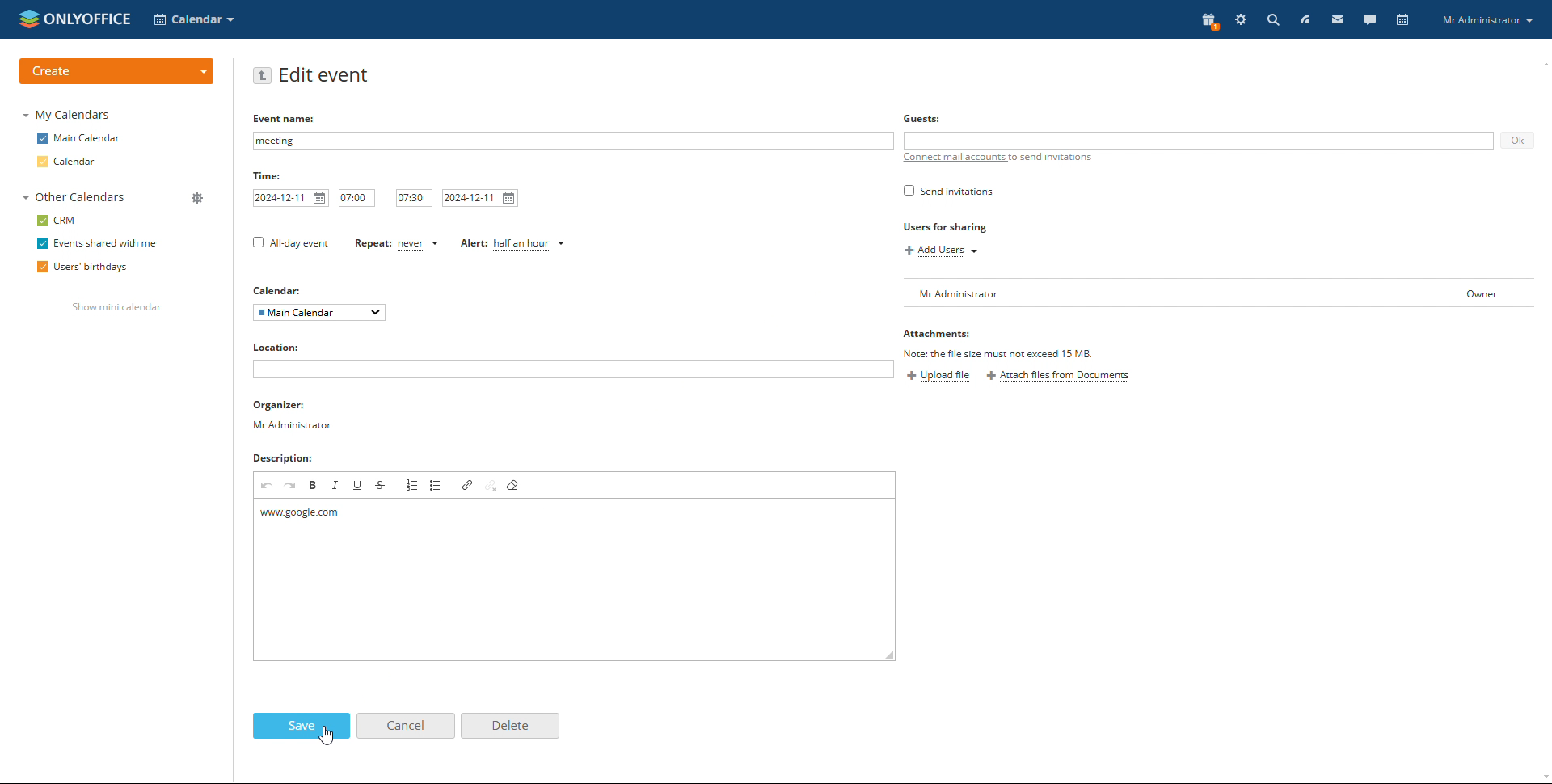  What do you see at coordinates (74, 196) in the screenshot?
I see `other calendar` at bounding box center [74, 196].